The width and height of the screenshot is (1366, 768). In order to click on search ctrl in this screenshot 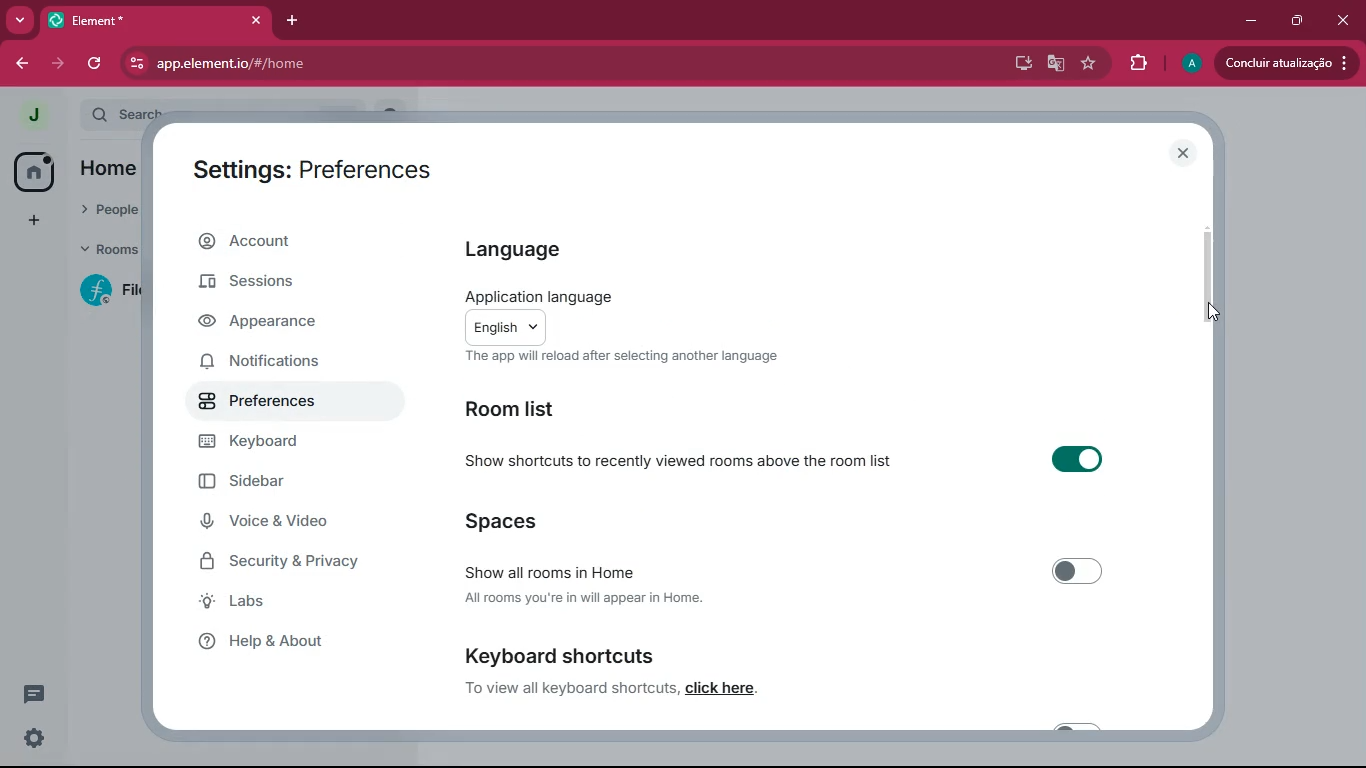, I will do `click(124, 112)`.